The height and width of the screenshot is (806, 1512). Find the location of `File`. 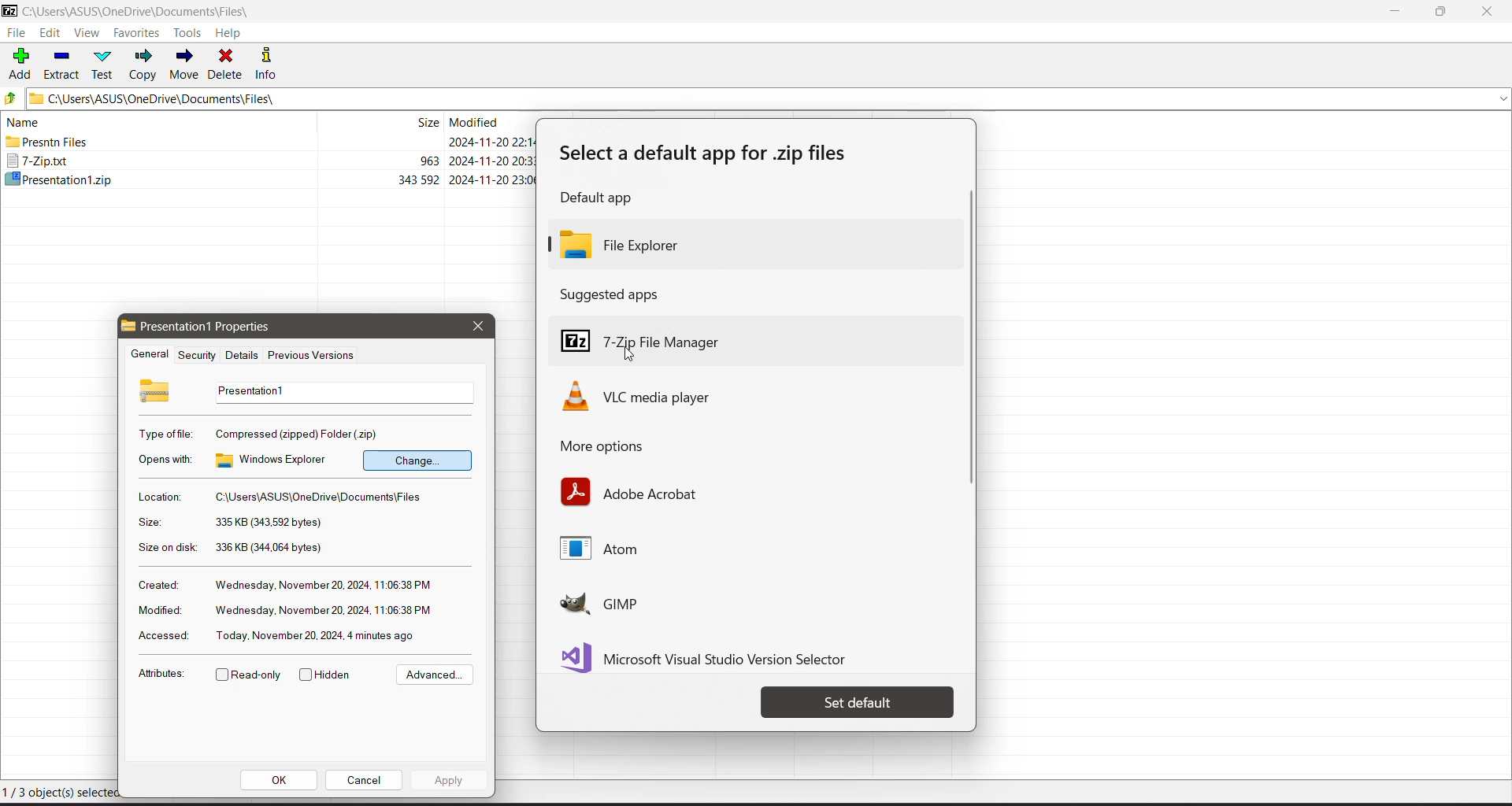

File is located at coordinates (16, 33).